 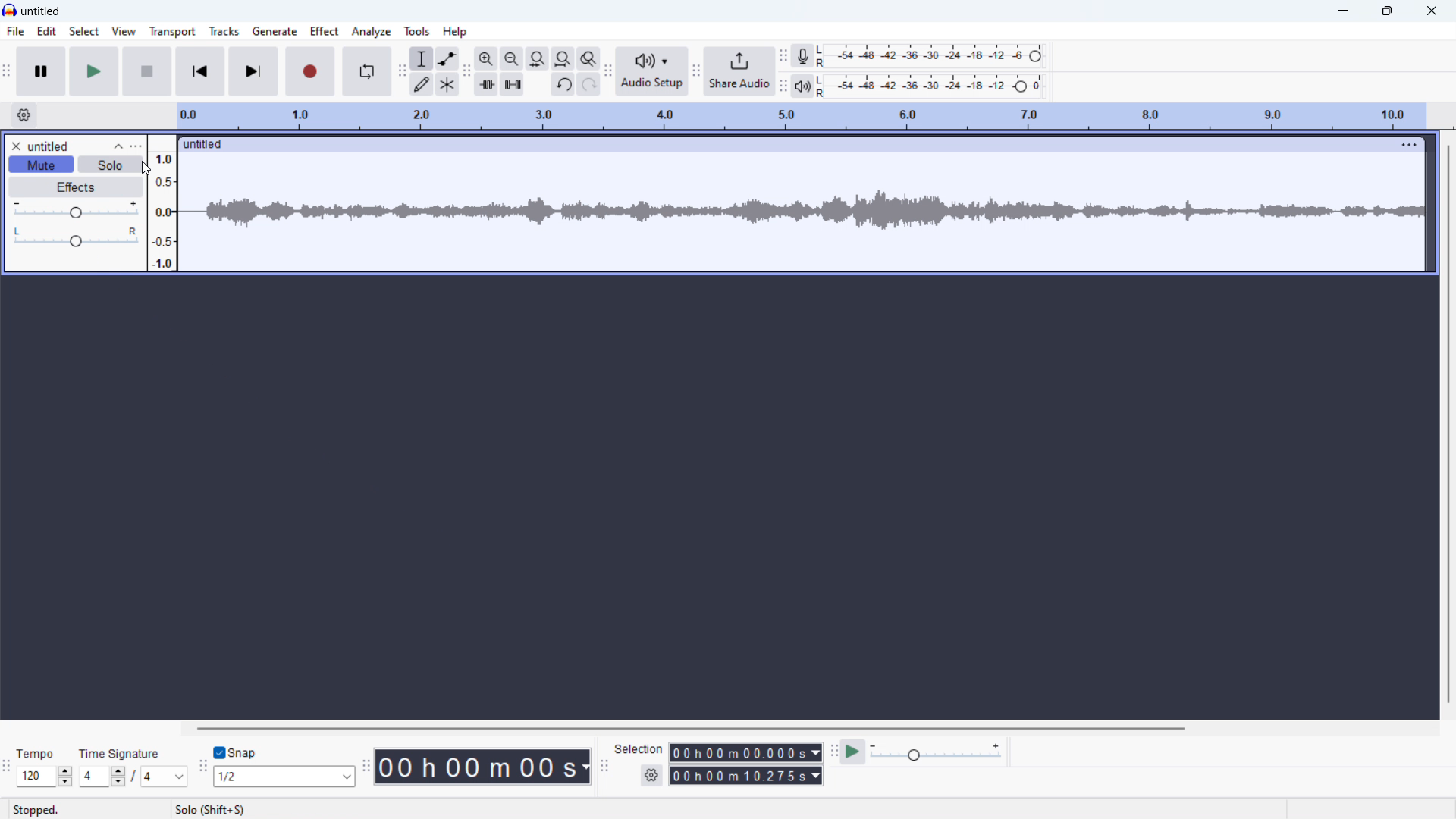 What do you see at coordinates (512, 58) in the screenshot?
I see `zoom out` at bounding box center [512, 58].